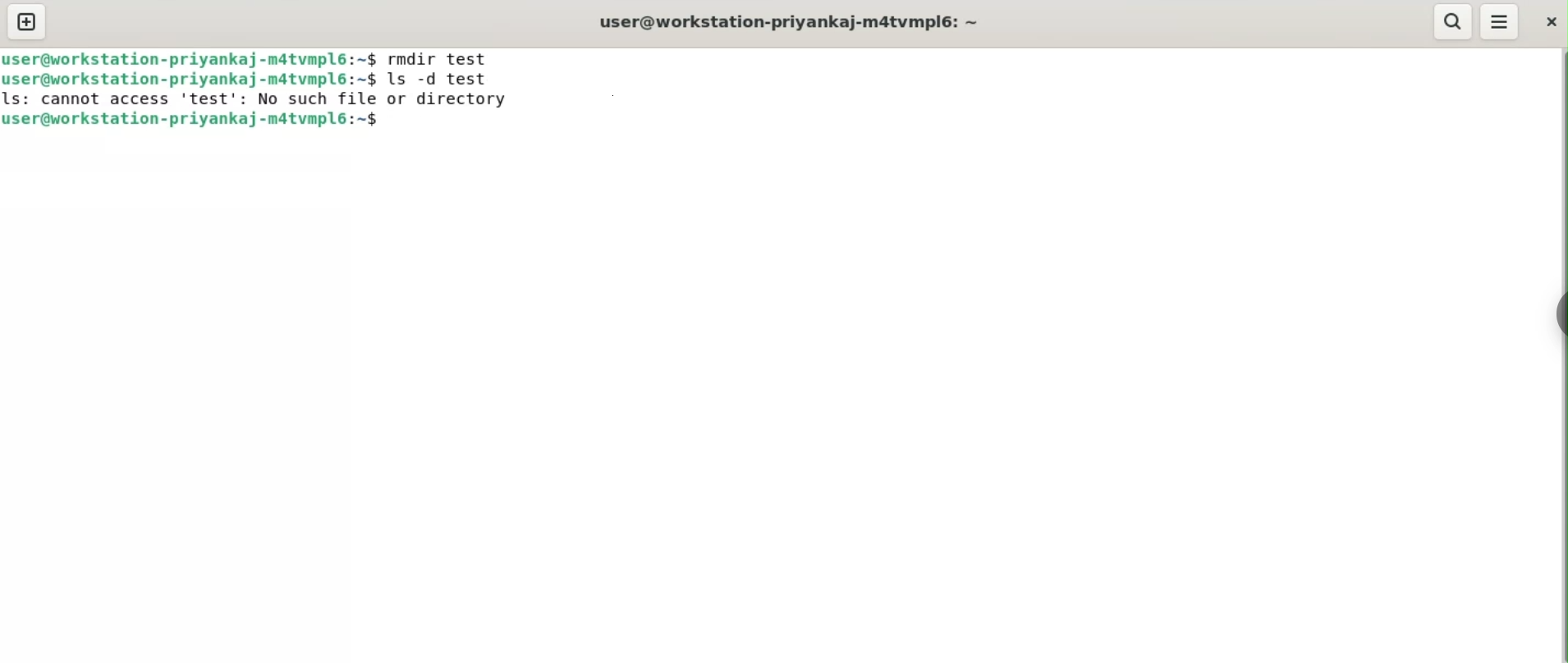 This screenshot has height=663, width=1568. I want to click on user@workstation-priyankaj-m4tvmpl6: ~$, so click(192, 80).